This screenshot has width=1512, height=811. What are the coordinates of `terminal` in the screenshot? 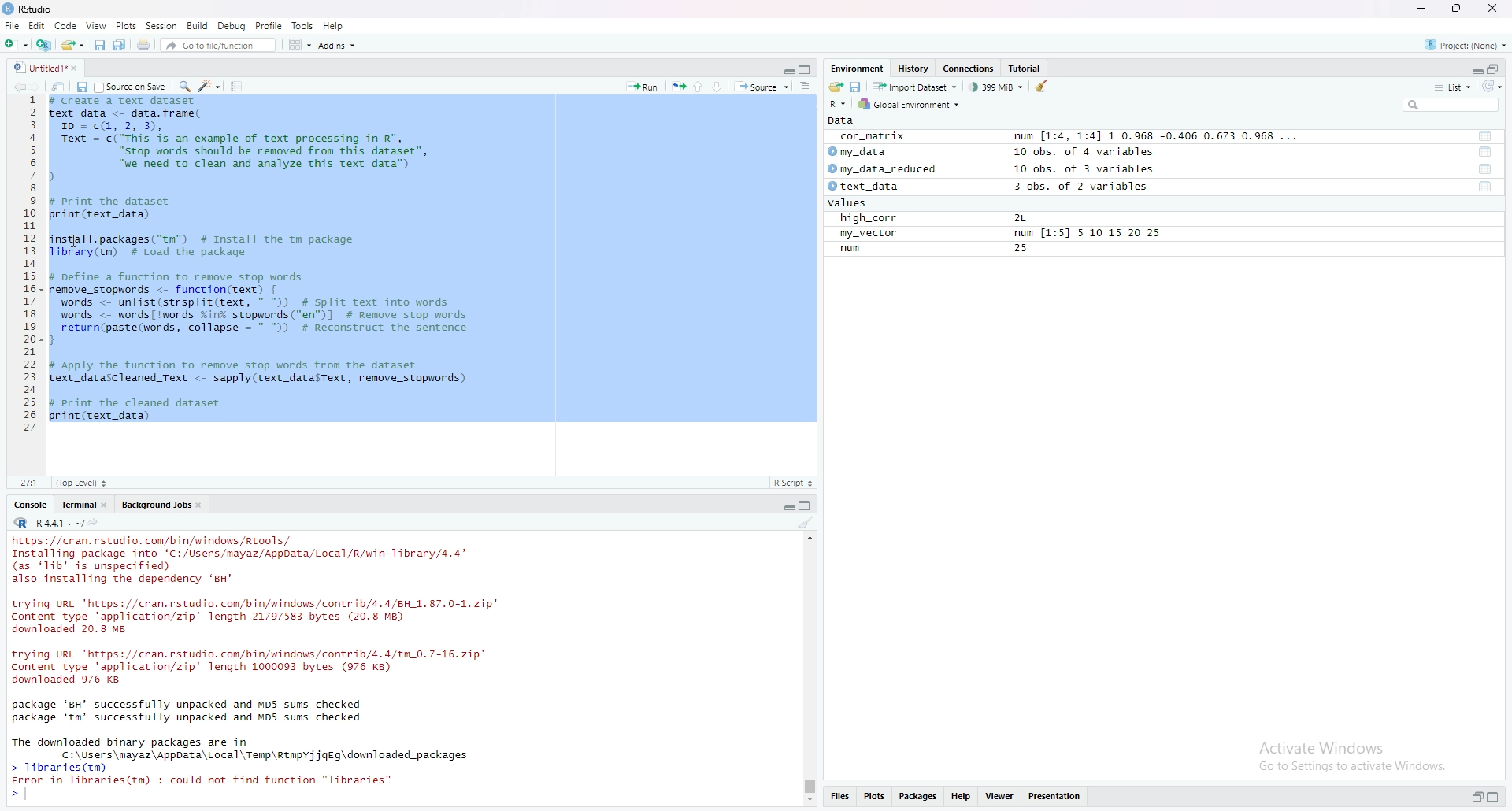 It's located at (83, 504).